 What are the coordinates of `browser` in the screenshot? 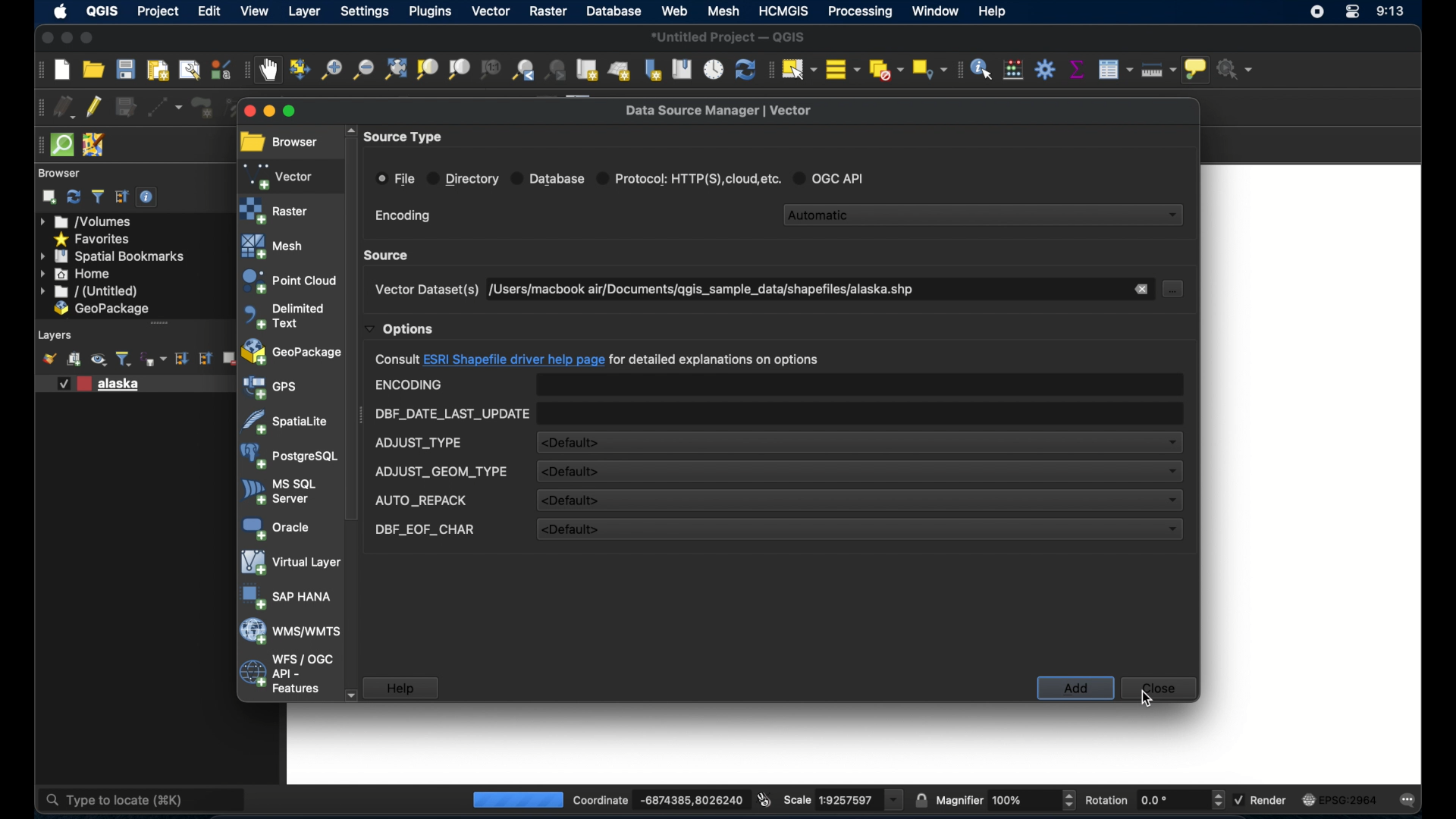 It's located at (279, 143).